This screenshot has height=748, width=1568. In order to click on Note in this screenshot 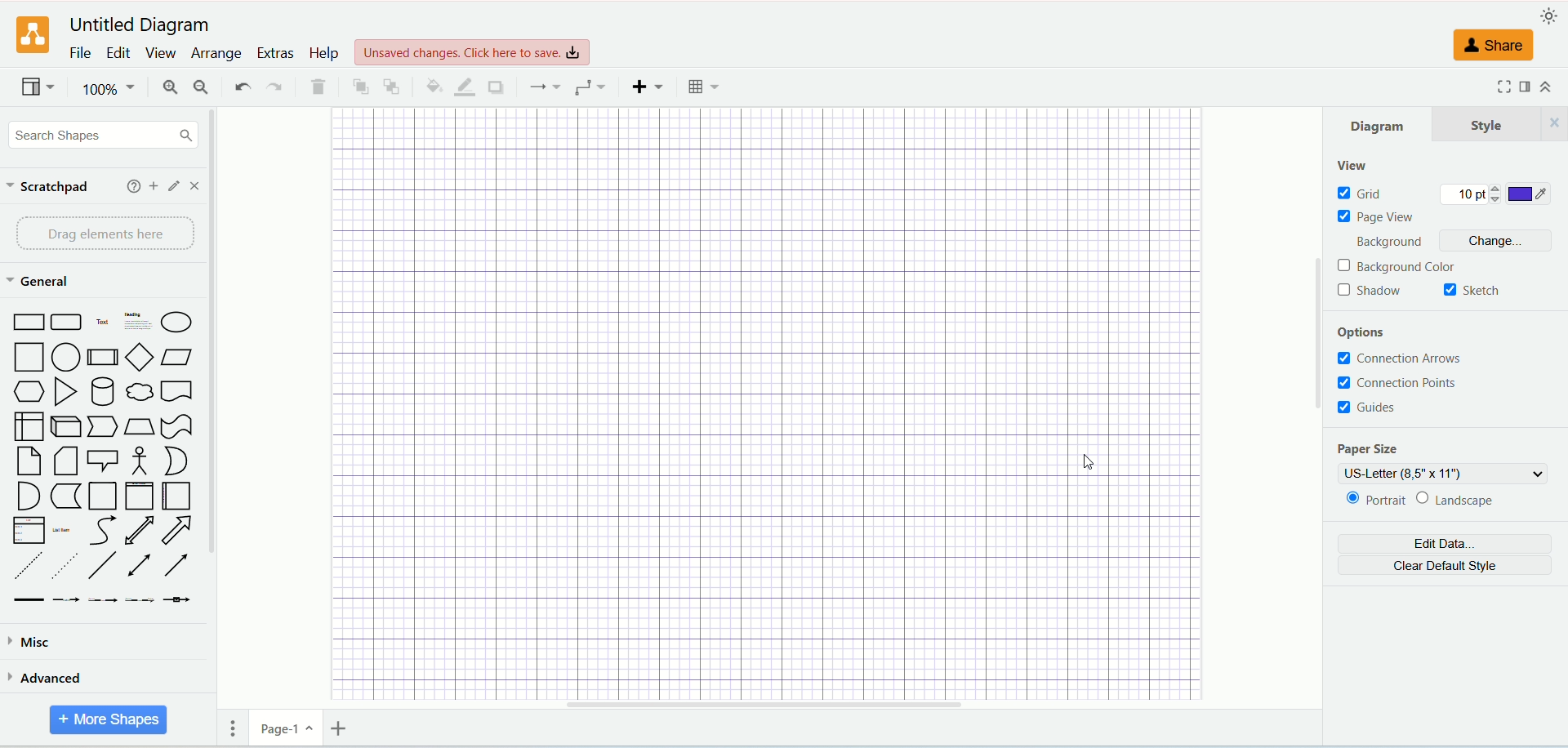, I will do `click(67, 462)`.